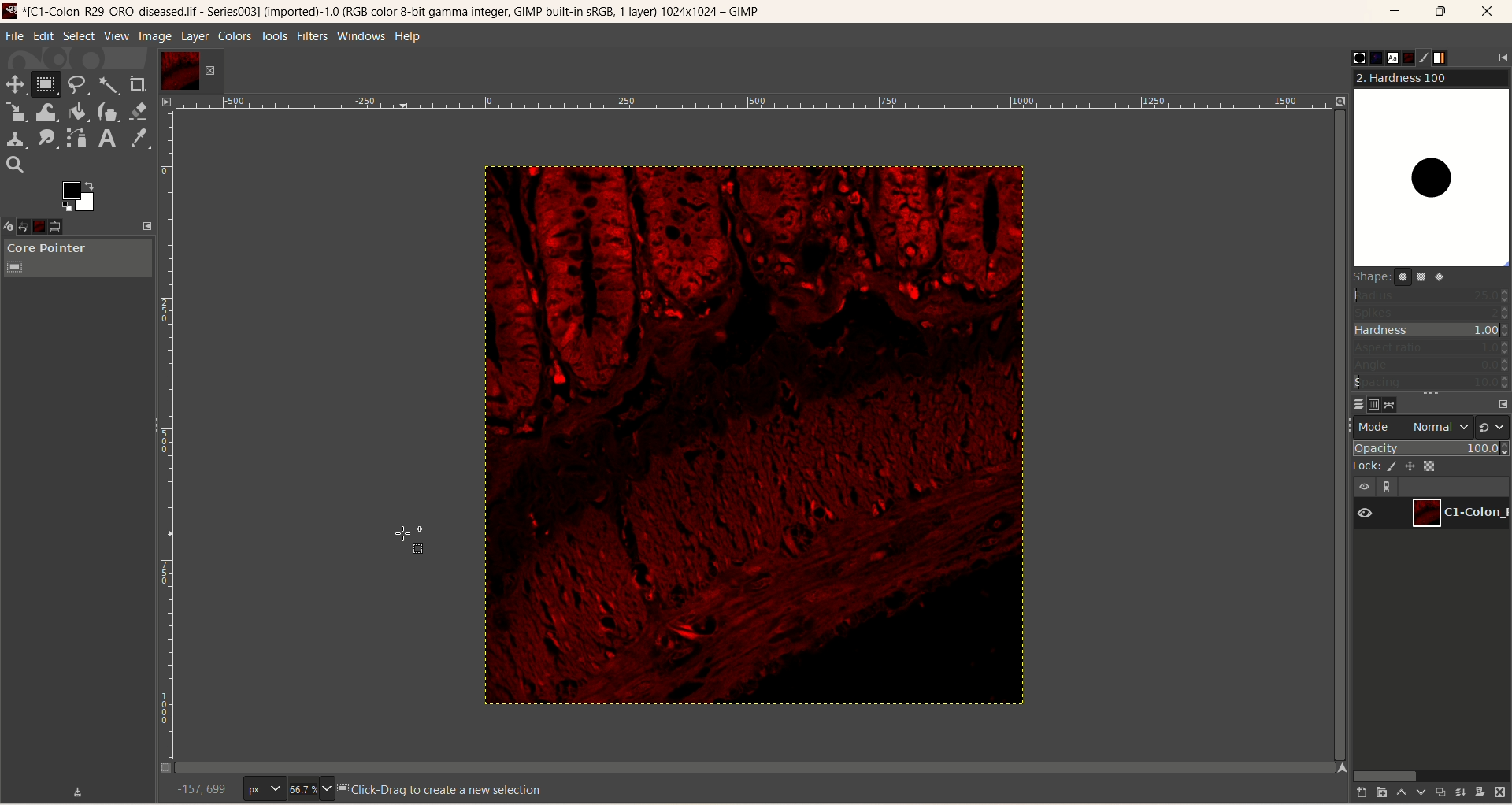  I want to click on file, so click(15, 36).